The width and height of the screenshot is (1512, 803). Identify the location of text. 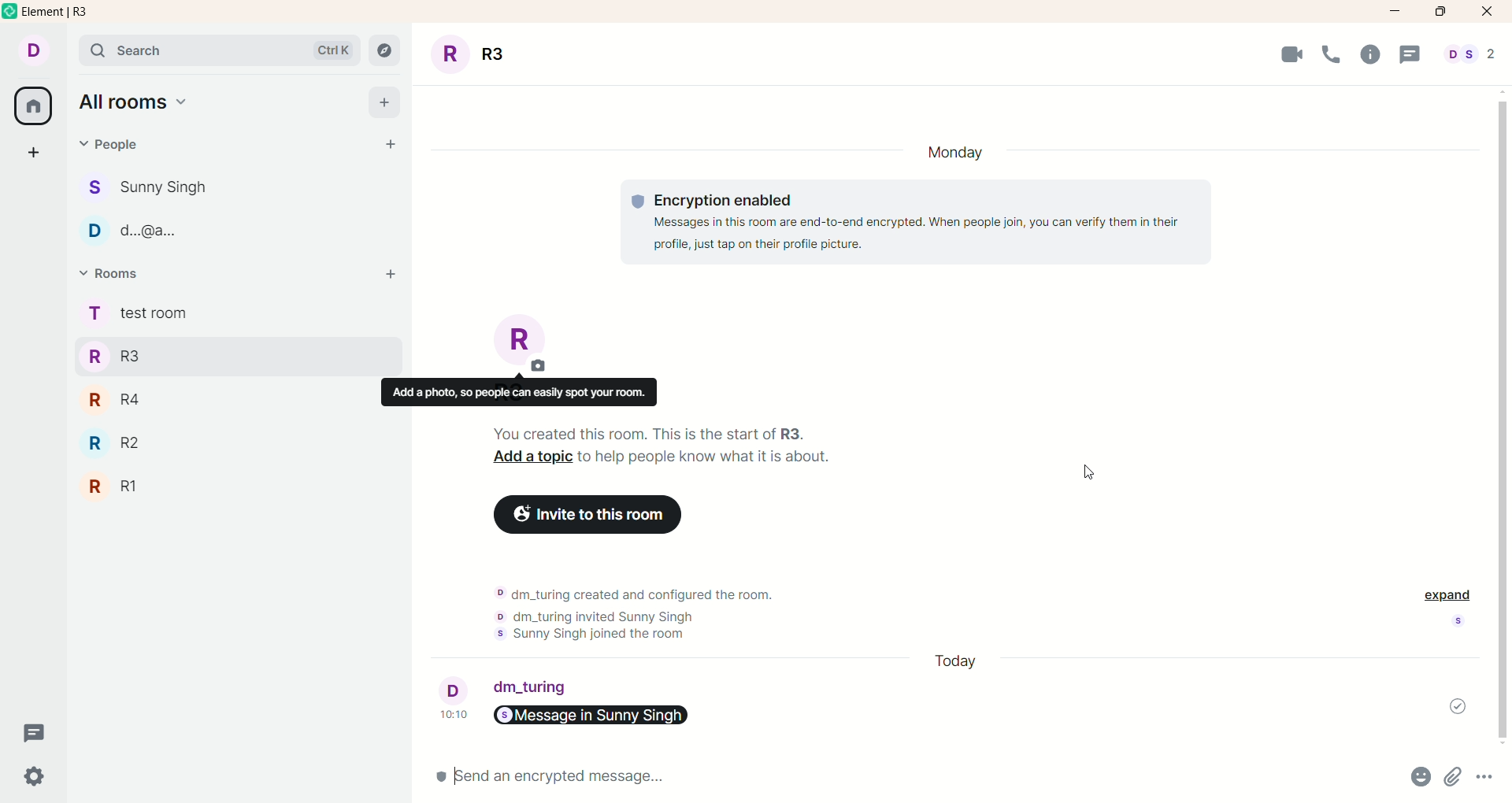
(922, 223).